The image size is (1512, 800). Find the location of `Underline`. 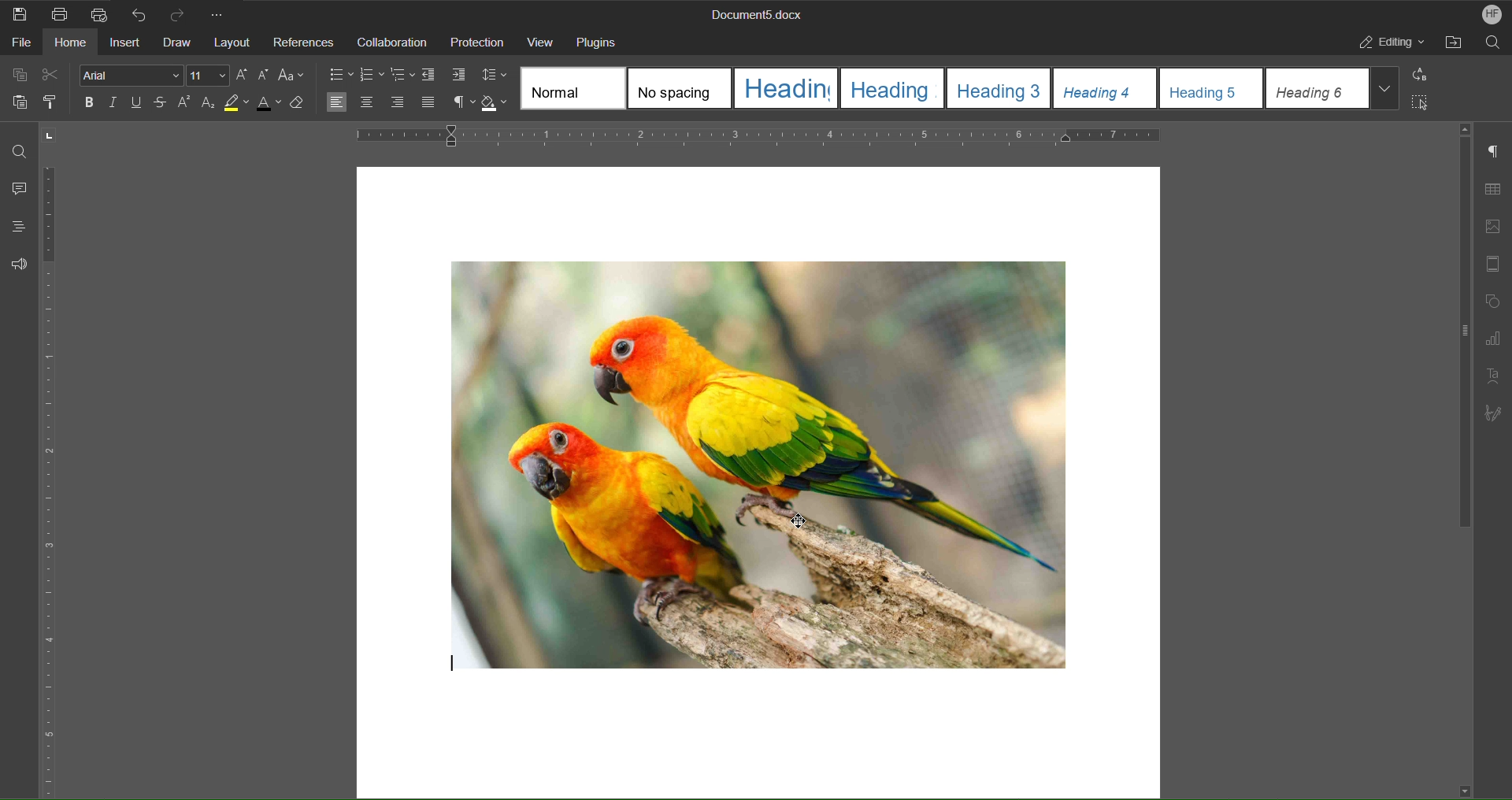

Underline is located at coordinates (140, 104).